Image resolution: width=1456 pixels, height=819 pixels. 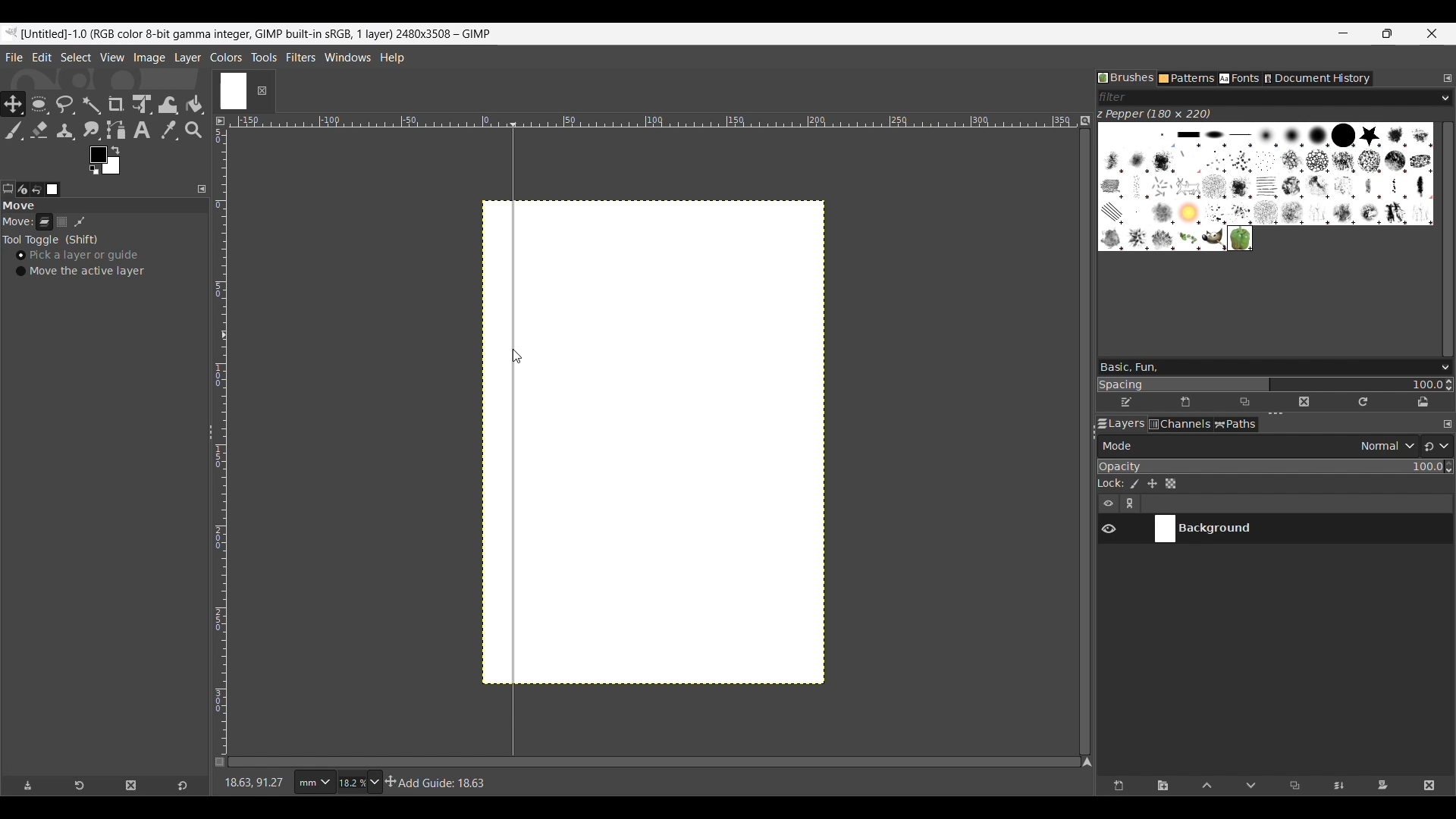 I want to click on Current tab, so click(x=232, y=89).